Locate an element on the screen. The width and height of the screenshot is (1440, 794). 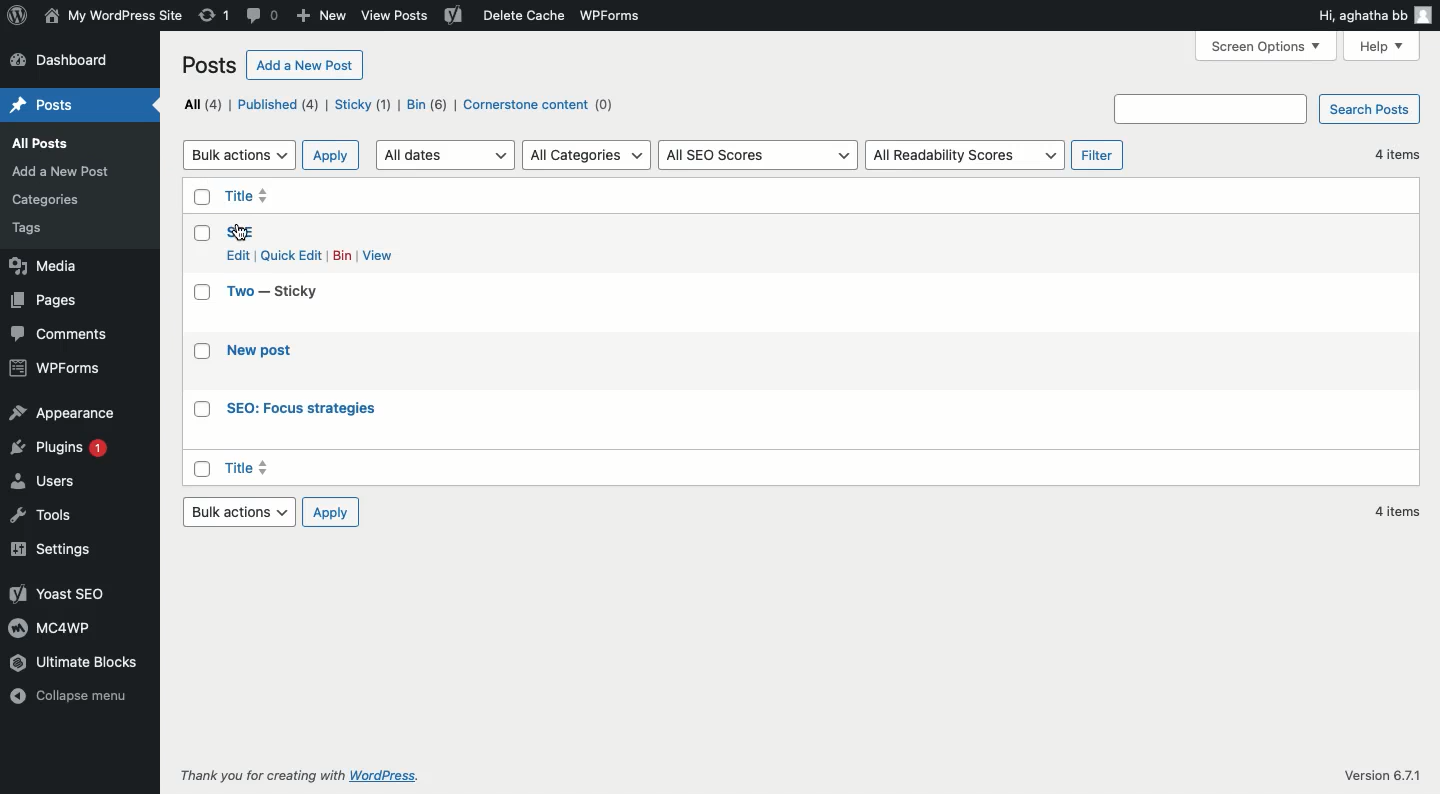
All SEO scores is located at coordinates (759, 156).